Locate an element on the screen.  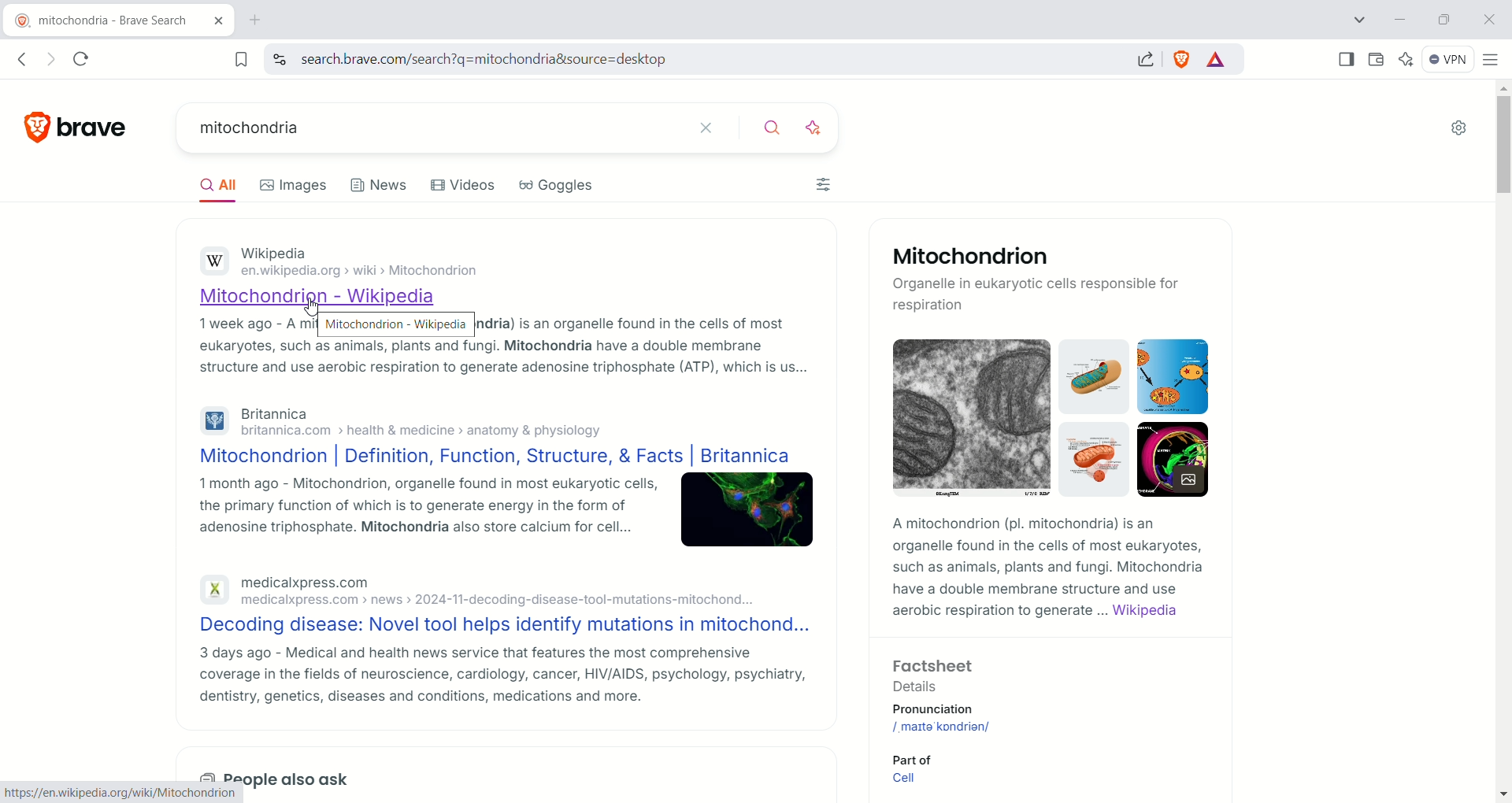
medicalxpress.com is located at coordinates (315, 582).